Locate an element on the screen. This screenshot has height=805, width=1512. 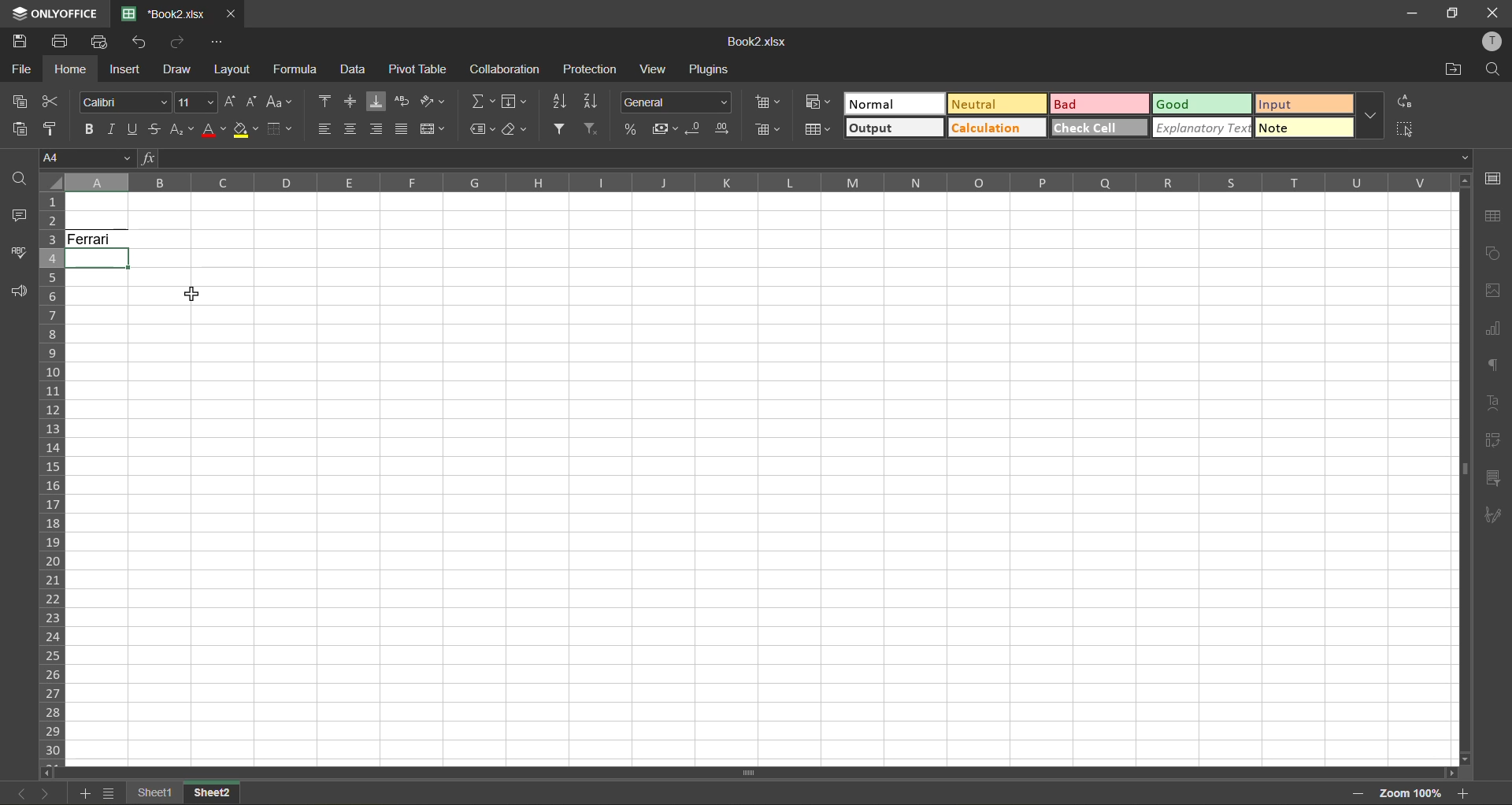
Book2.xlsx is located at coordinates (754, 39).